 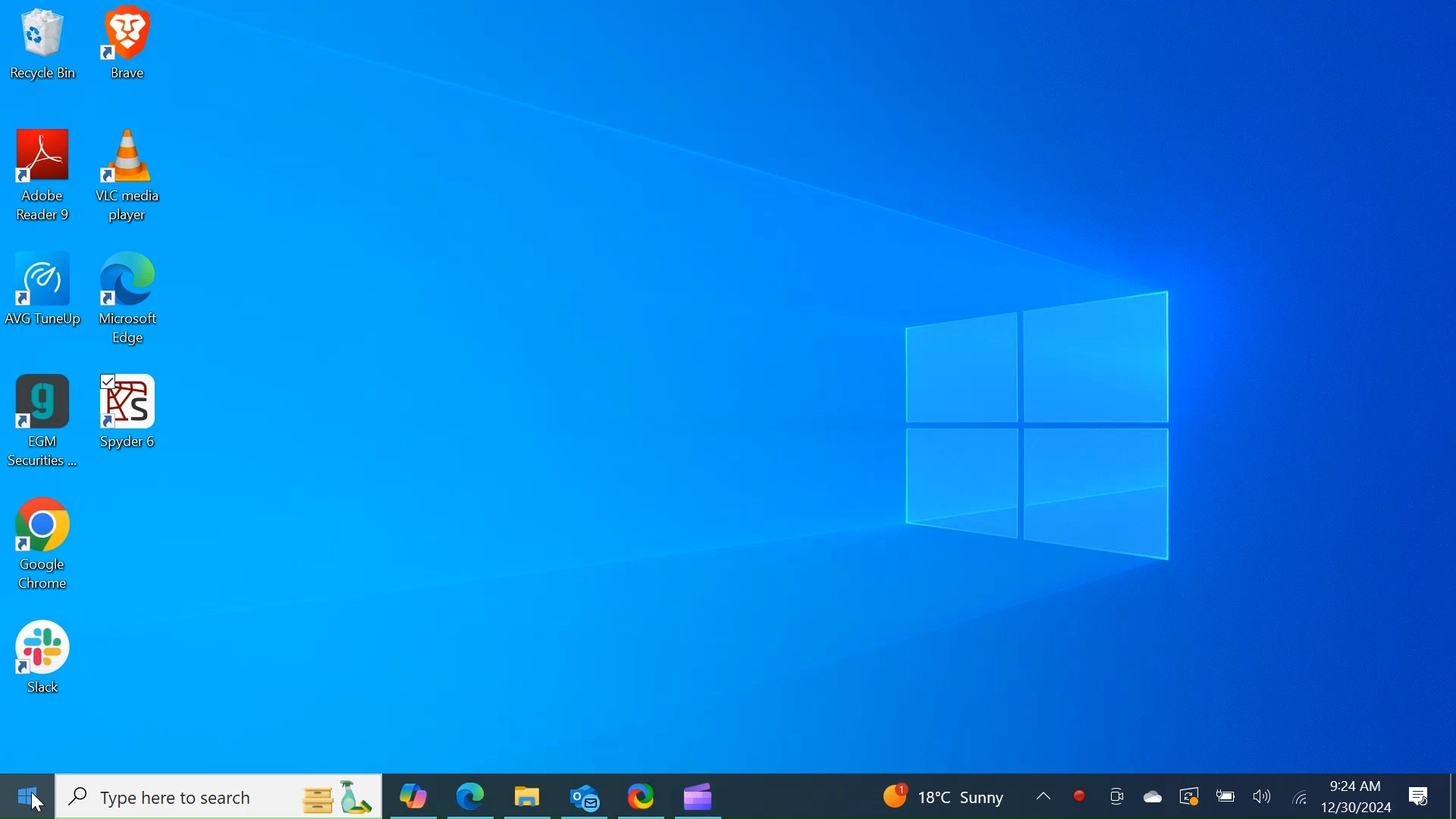 What do you see at coordinates (130, 424) in the screenshot?
I see `Spyder Desktop Icon` at bounding box center [130, 424].